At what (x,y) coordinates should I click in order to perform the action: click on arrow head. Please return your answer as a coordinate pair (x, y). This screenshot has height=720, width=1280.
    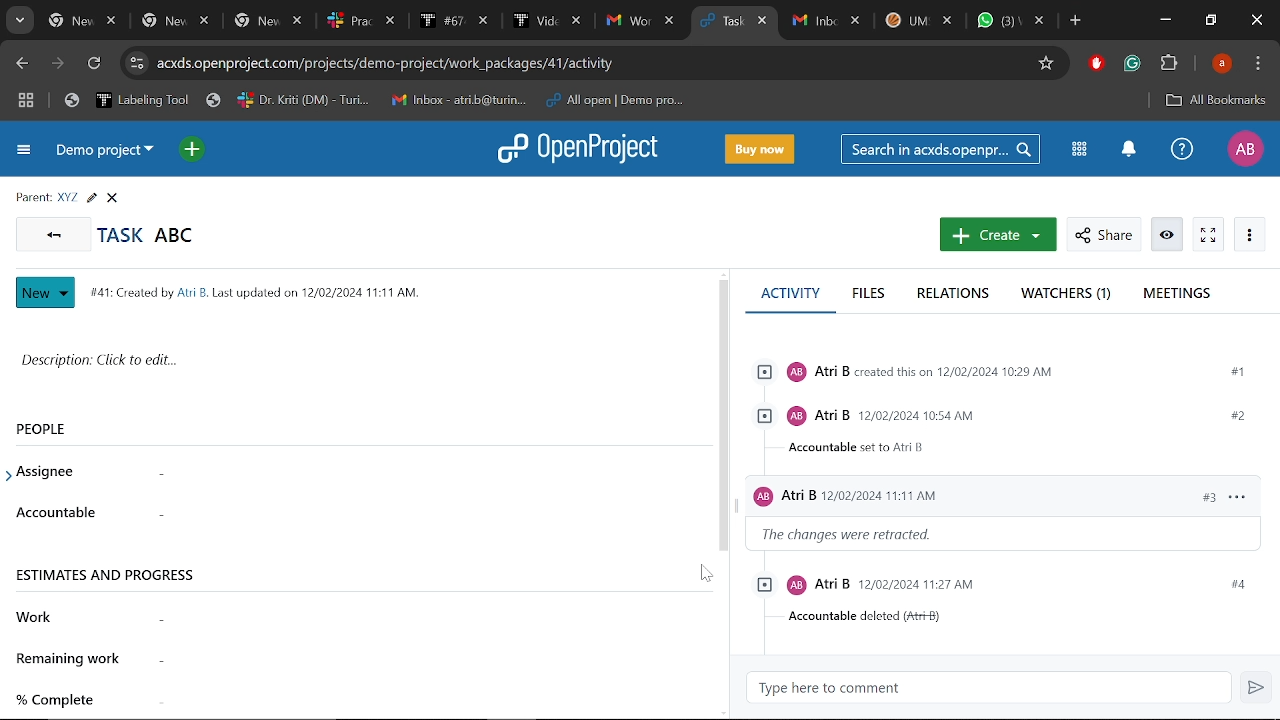
    Looking at the image, I should click on (12, 470).